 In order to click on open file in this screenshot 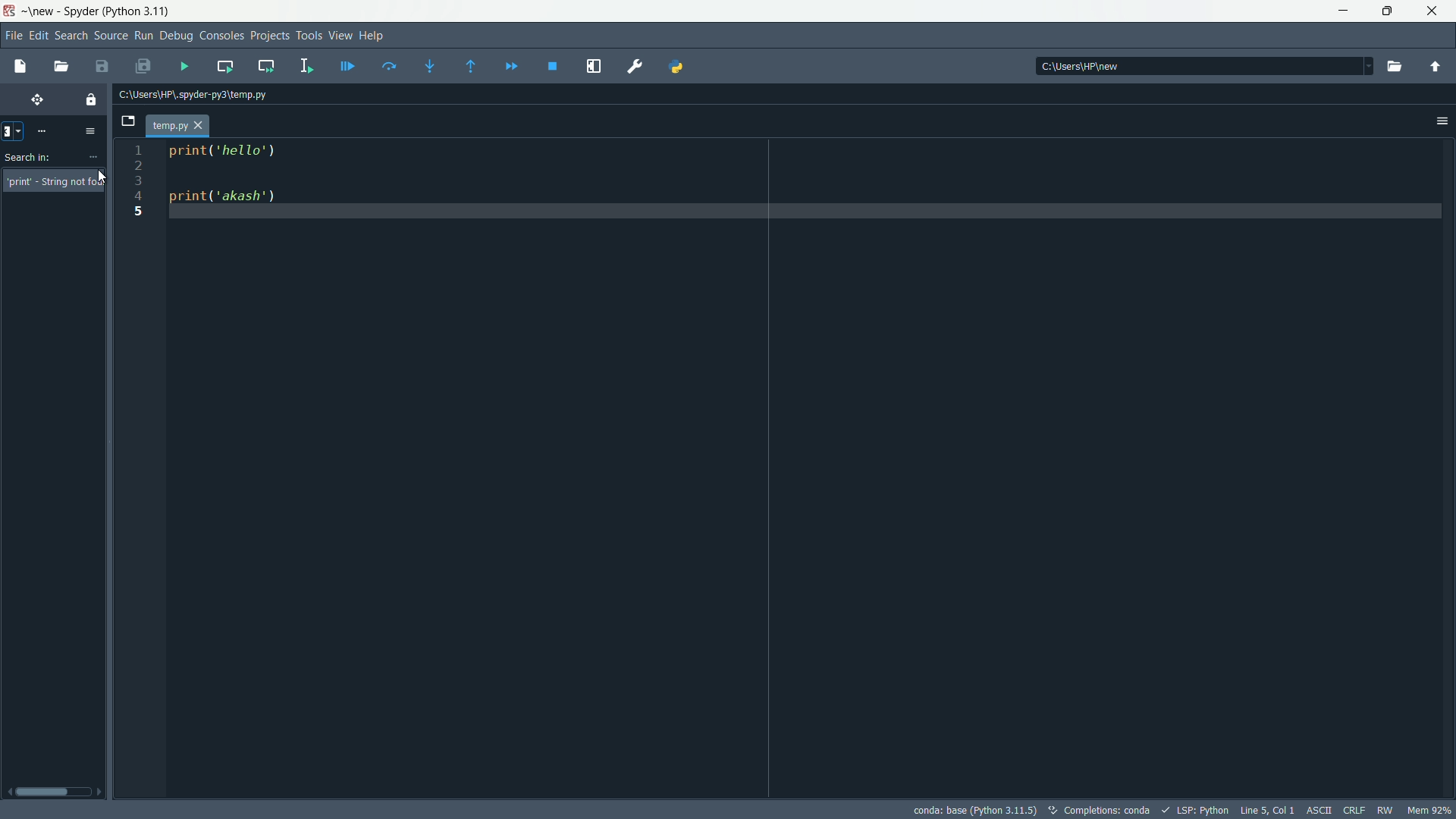, I will do `click(60, 67)`.